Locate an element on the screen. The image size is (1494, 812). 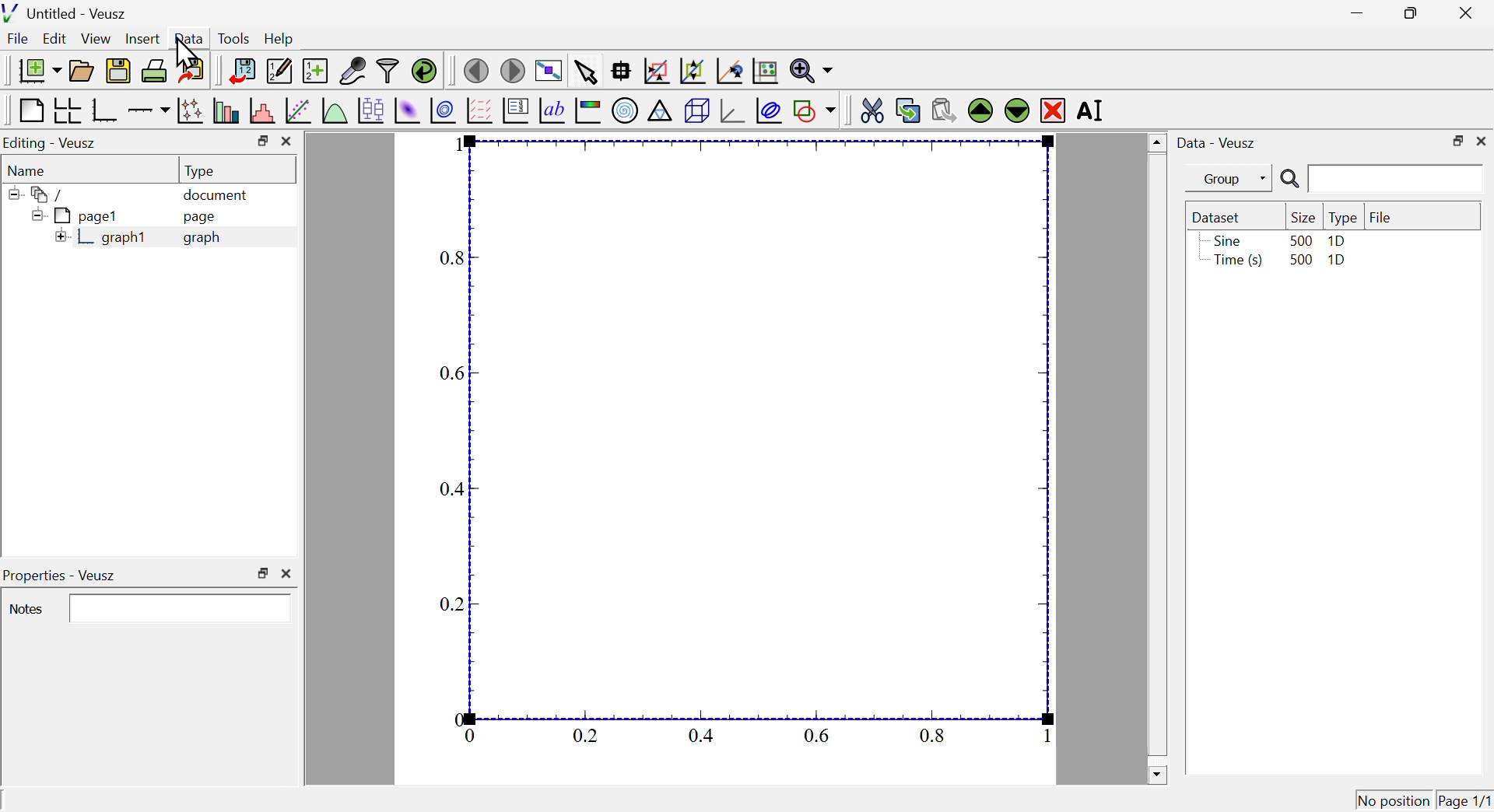
1D is located at coordinates (1337, 241).